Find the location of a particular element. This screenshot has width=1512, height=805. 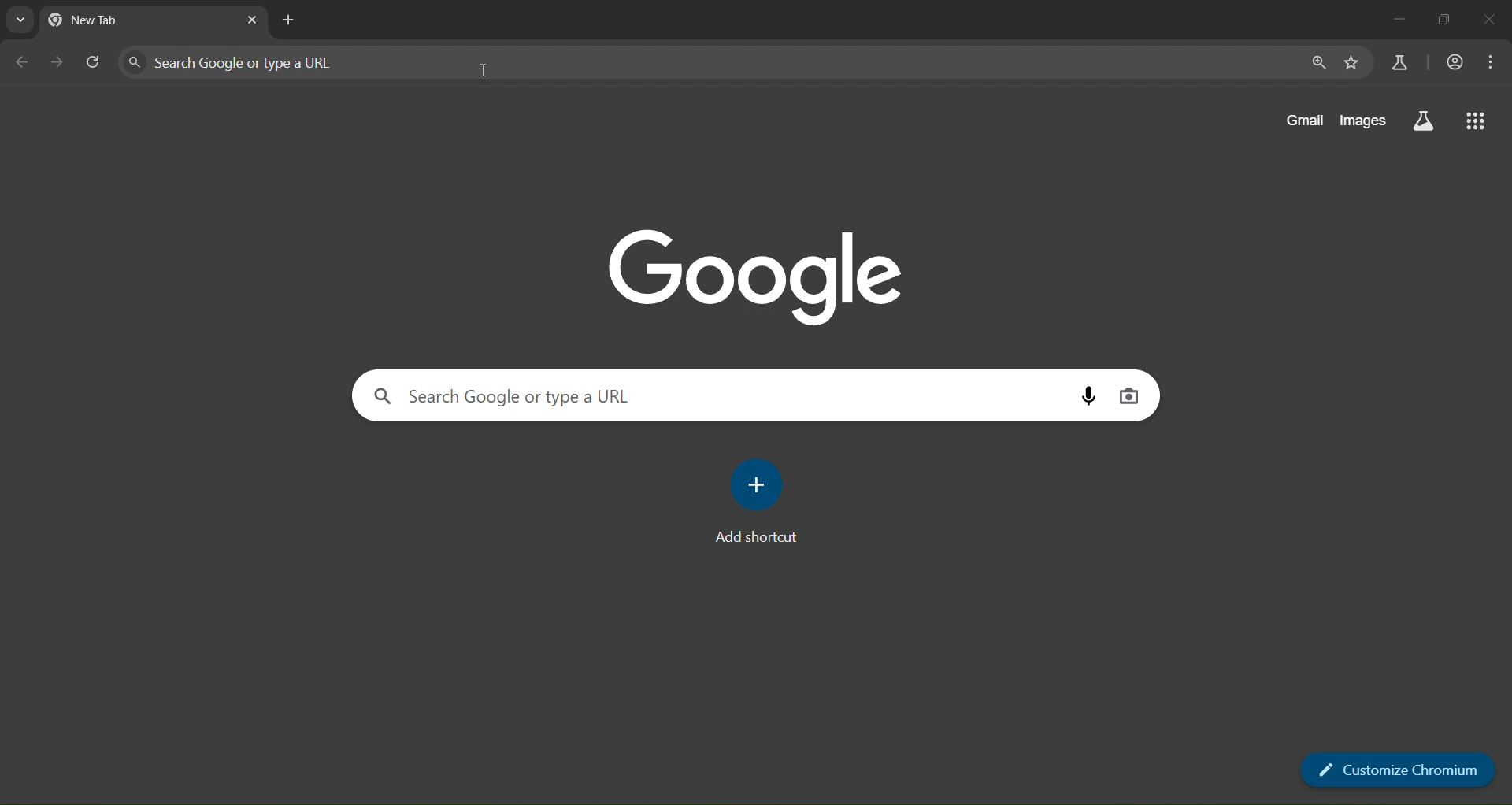

search labs is located at coordinates (1399, 65).